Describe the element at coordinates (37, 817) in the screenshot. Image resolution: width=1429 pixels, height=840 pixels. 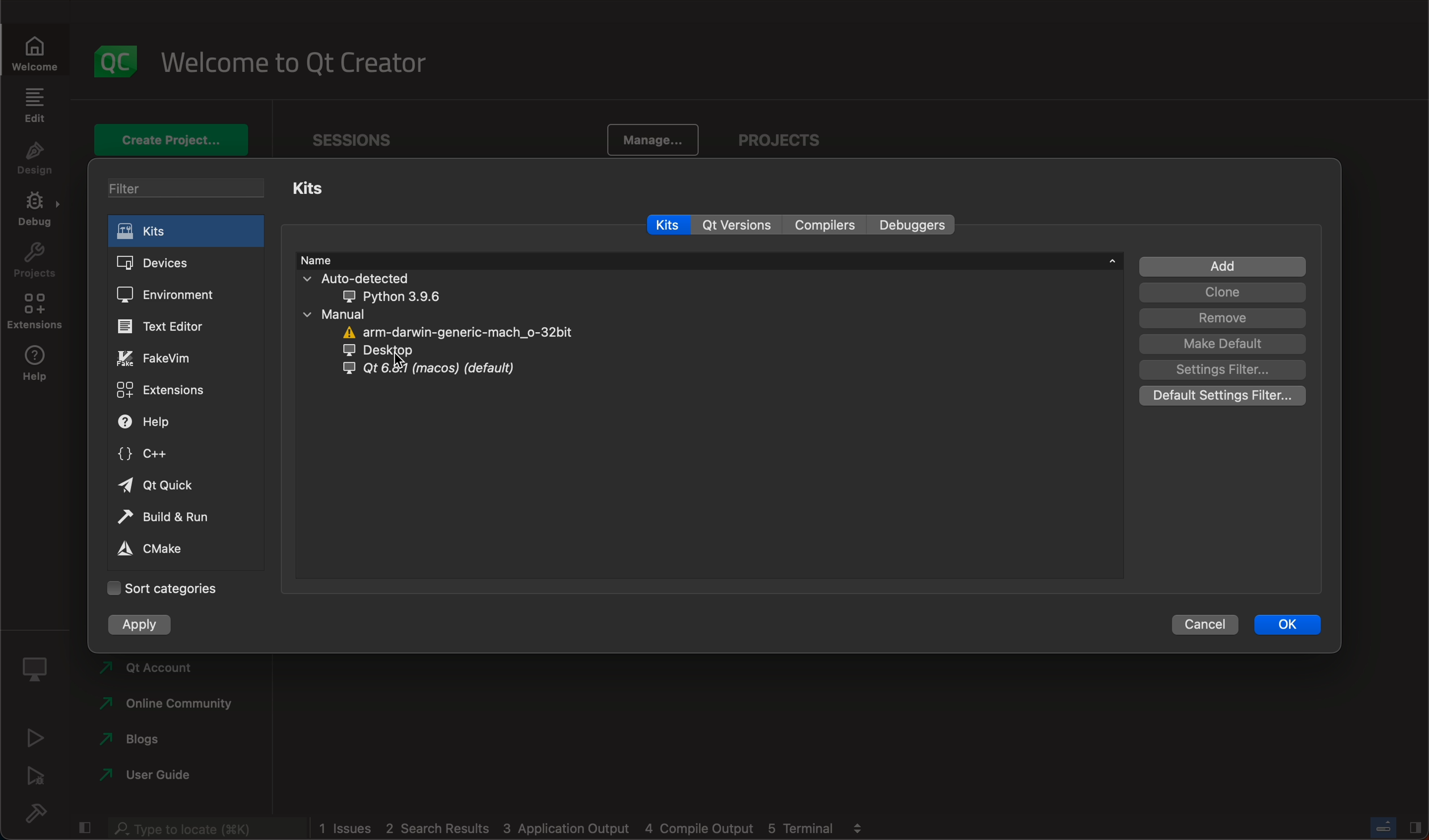
I see `build` at that location.